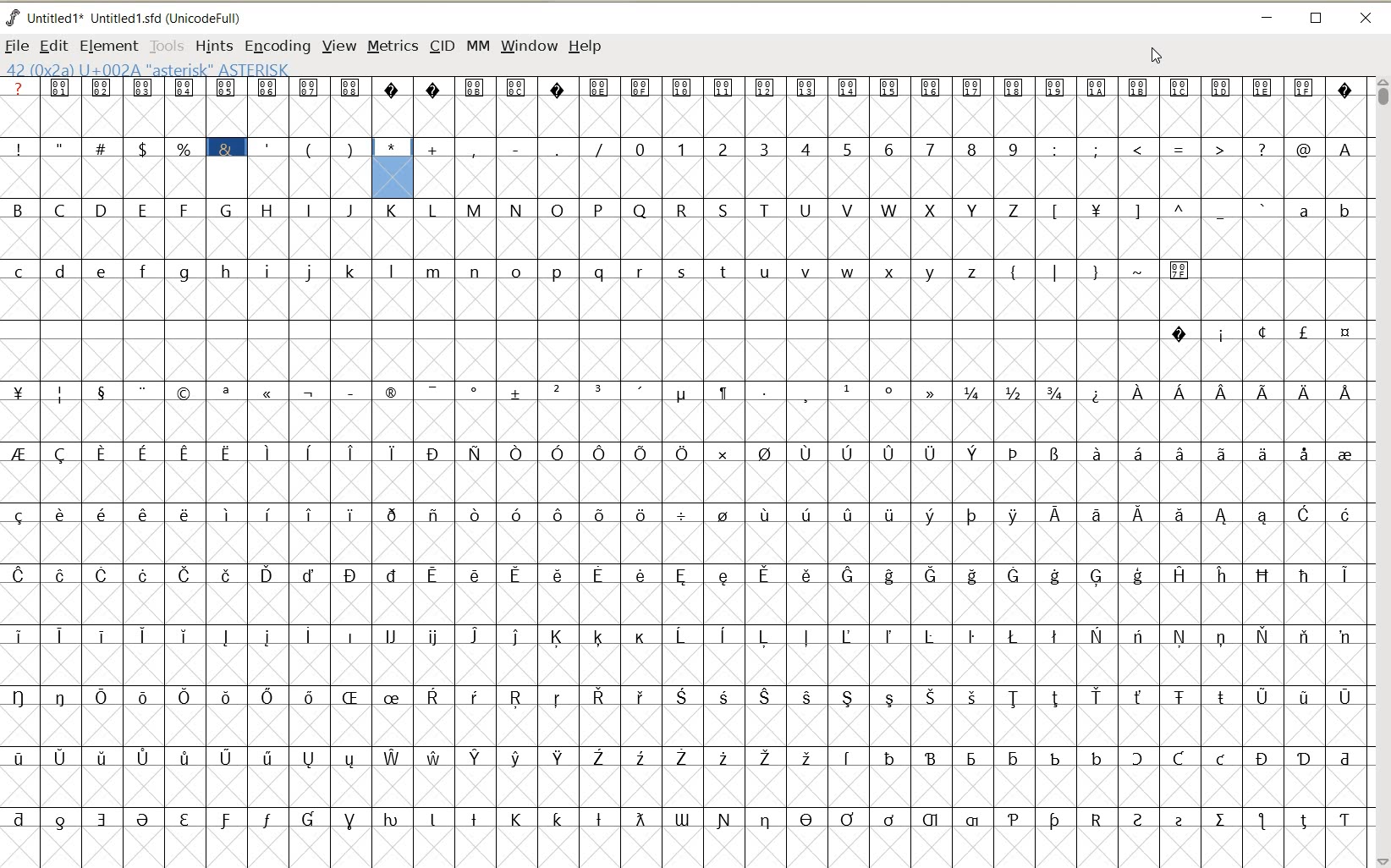 The image size is (1391, 868). I want to click on GLYPHY CHARACTERS & NUMBERS, so click(892, 472).